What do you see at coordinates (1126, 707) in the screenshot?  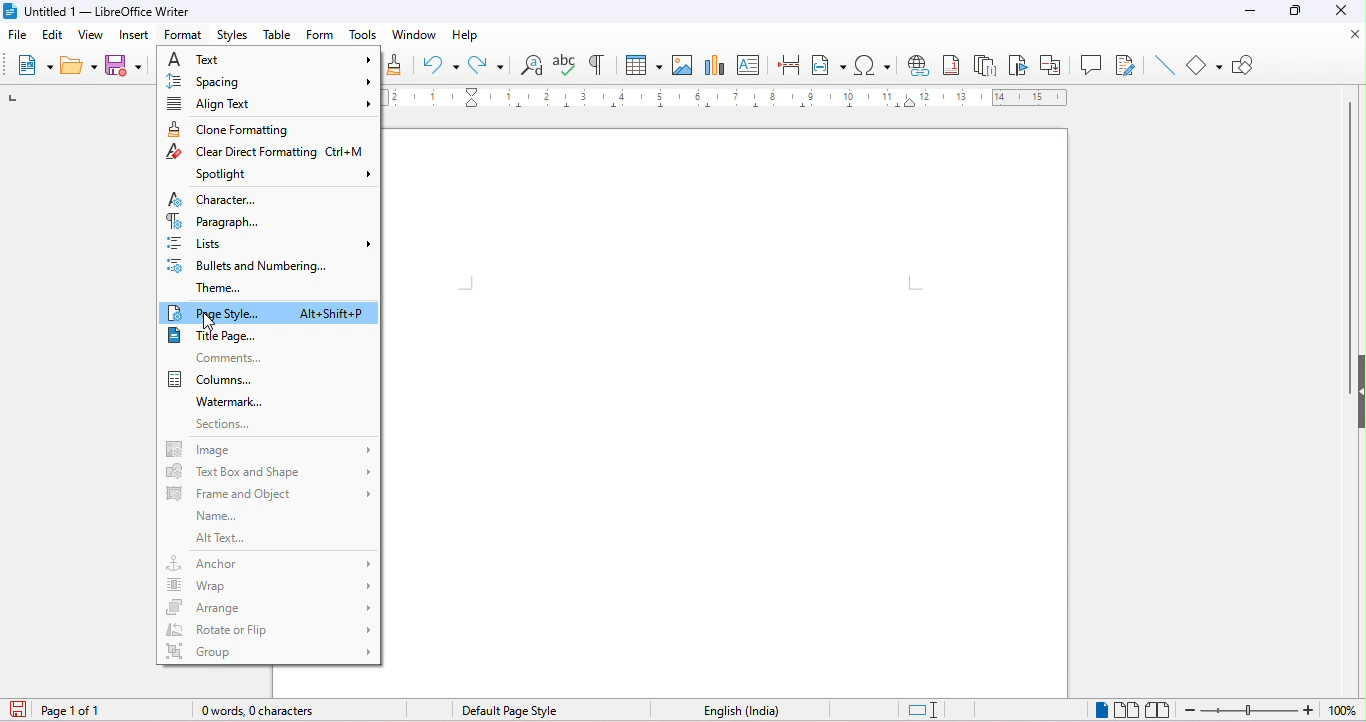 I see `multiple page view` at bounding box center [1126, 707].